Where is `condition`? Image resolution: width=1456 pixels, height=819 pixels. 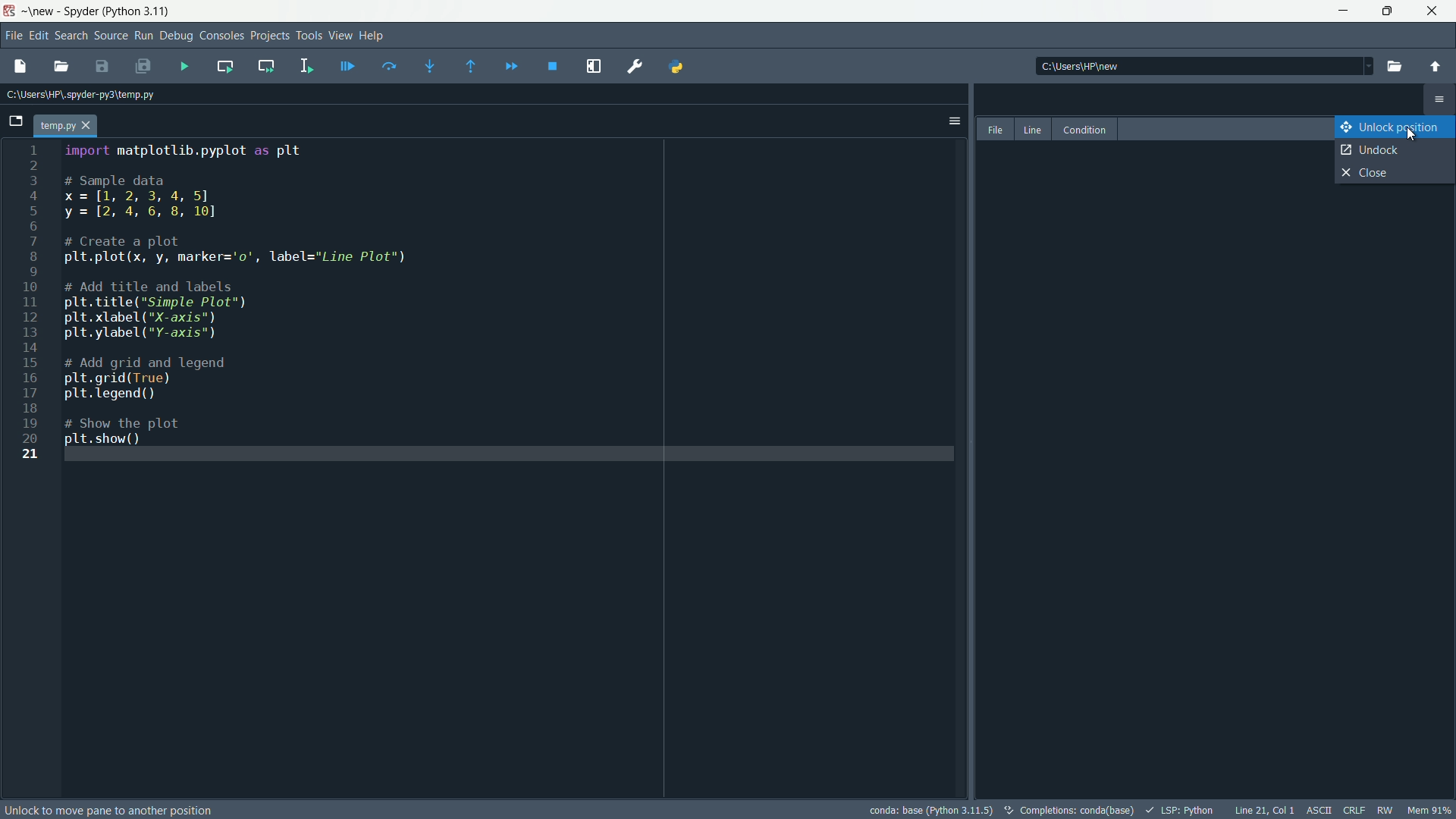
condition is located at coordinates (1089, 129).